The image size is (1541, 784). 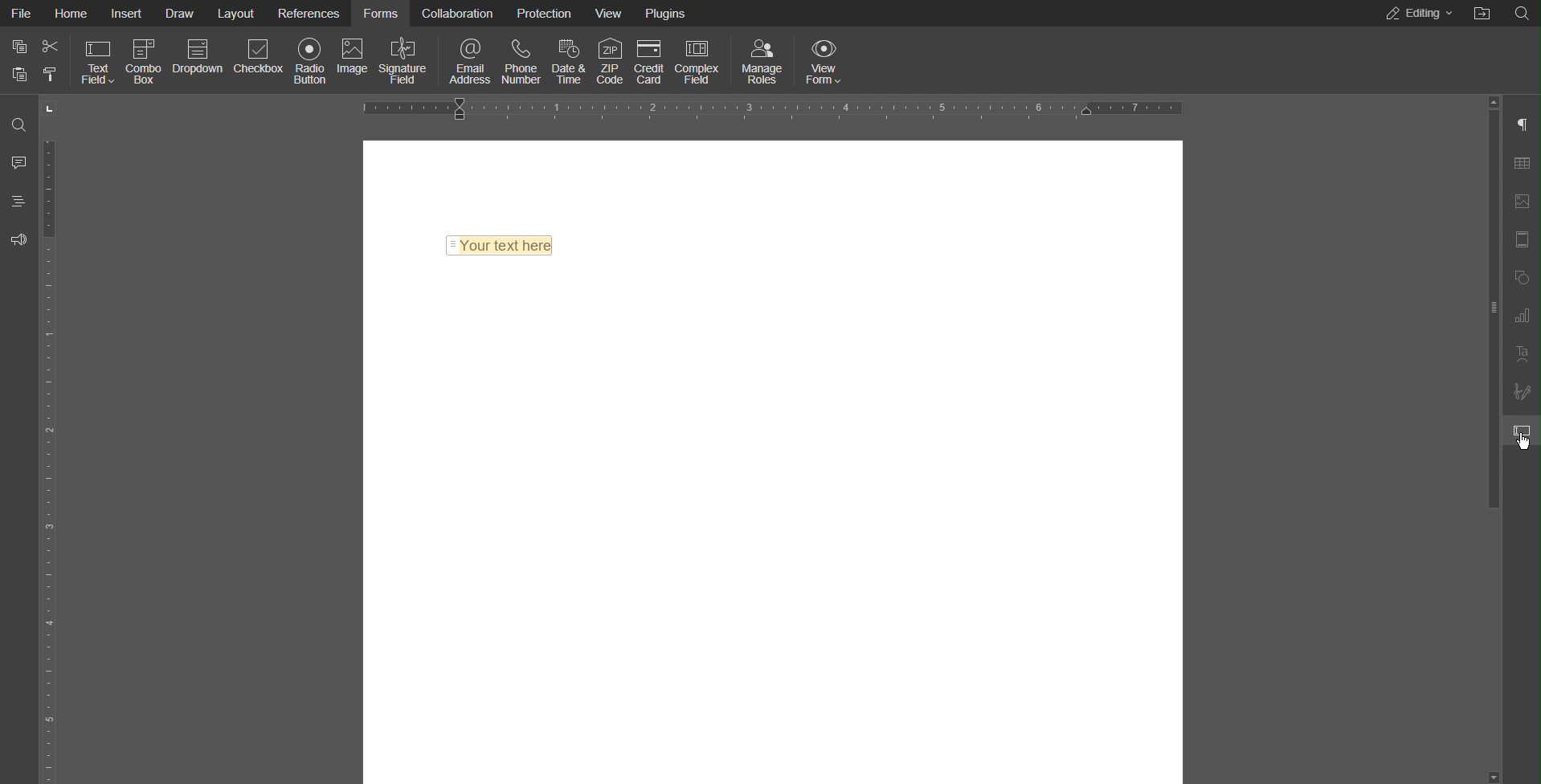 What do you see at coordinates (465, 60) in the screenshot?
I see `Email Address` at bounding box center [465, 60].